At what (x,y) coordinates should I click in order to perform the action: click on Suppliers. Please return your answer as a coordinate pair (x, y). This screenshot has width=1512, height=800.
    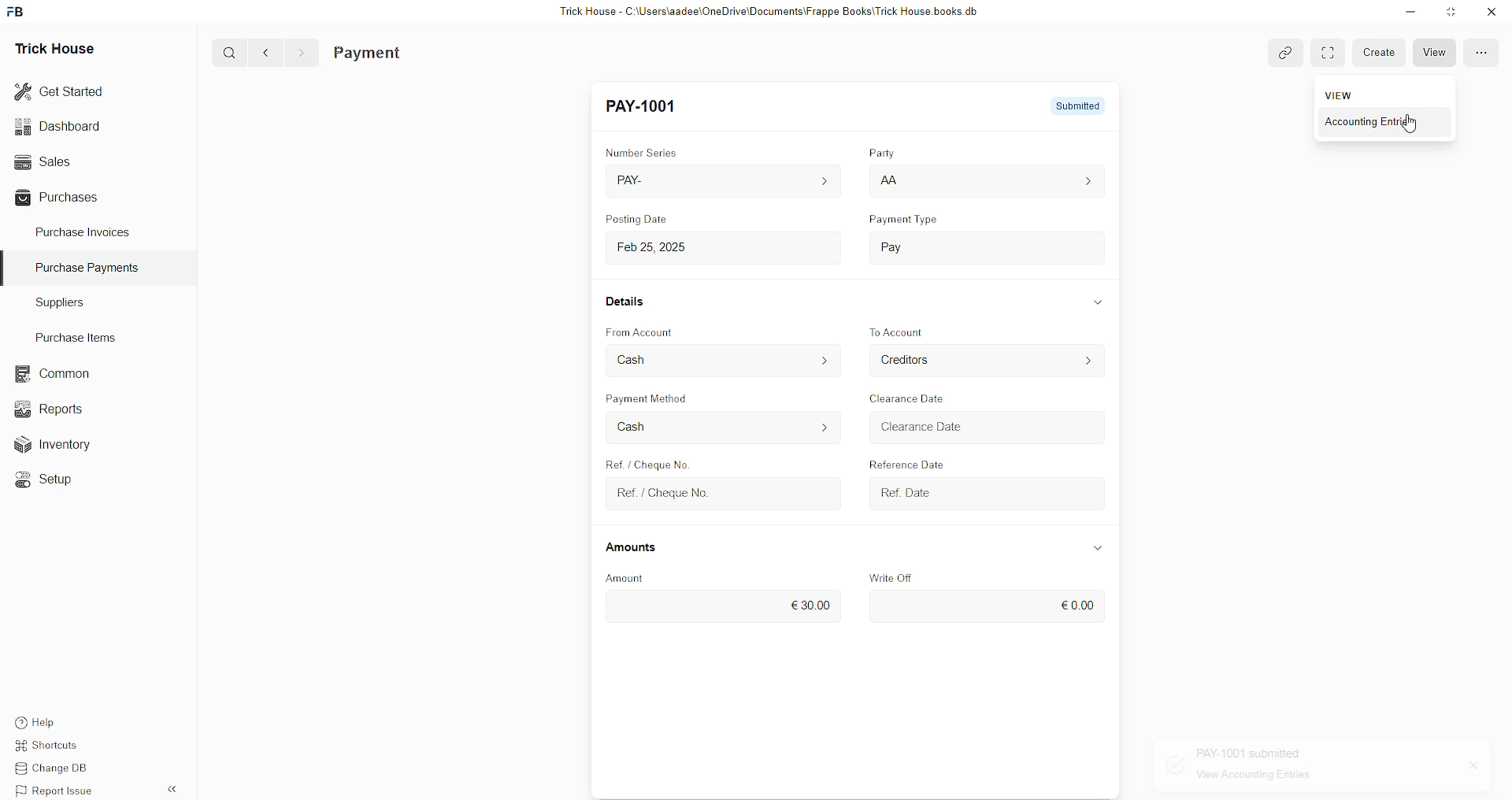
    Looking at the image, I should click on (54, 302).